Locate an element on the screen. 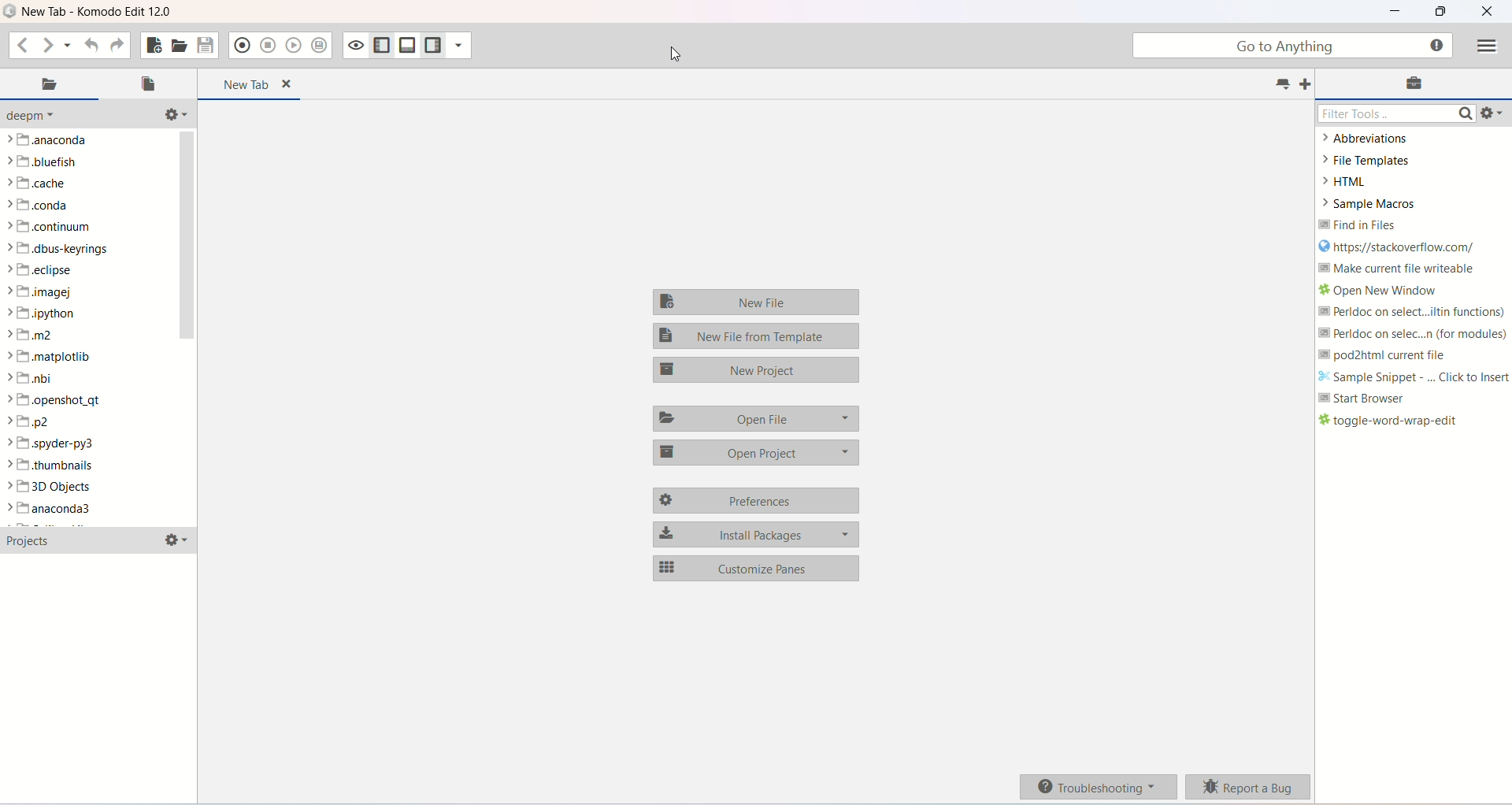  save macro to toolbox is located at coordinates (319, 46).